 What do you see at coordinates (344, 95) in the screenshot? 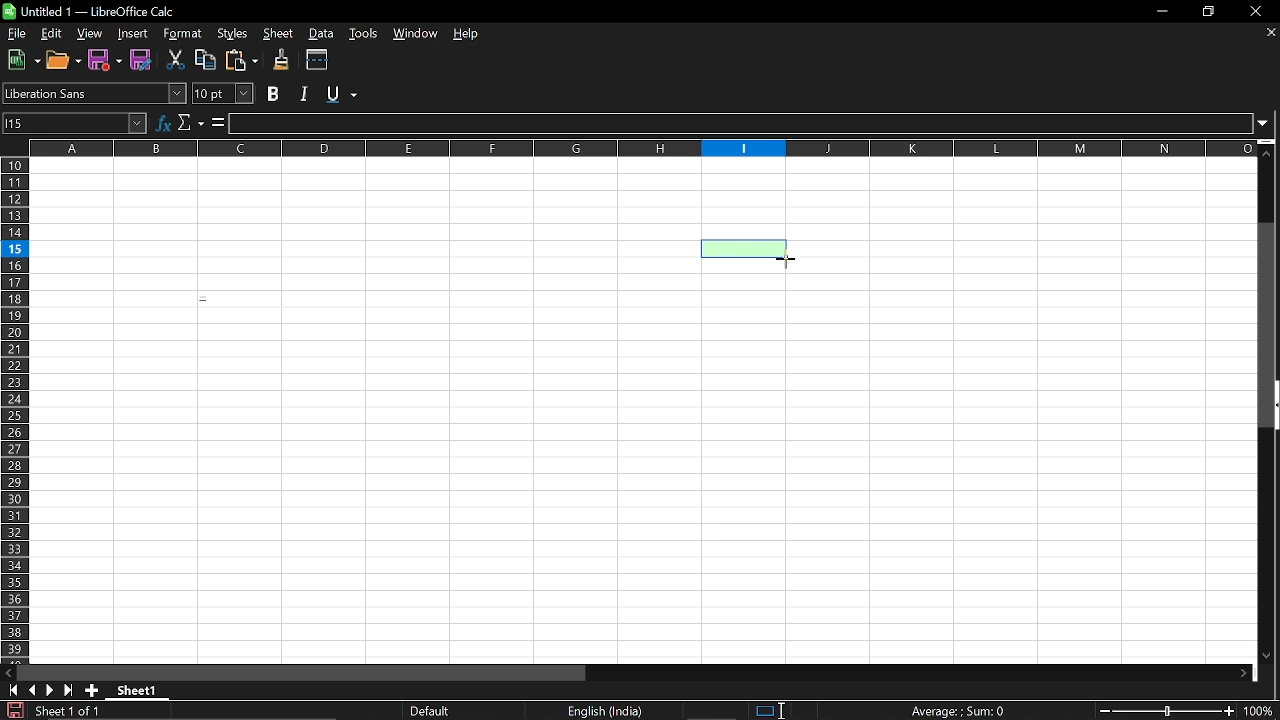
I see `Underline` at bounding box center [344, 95].